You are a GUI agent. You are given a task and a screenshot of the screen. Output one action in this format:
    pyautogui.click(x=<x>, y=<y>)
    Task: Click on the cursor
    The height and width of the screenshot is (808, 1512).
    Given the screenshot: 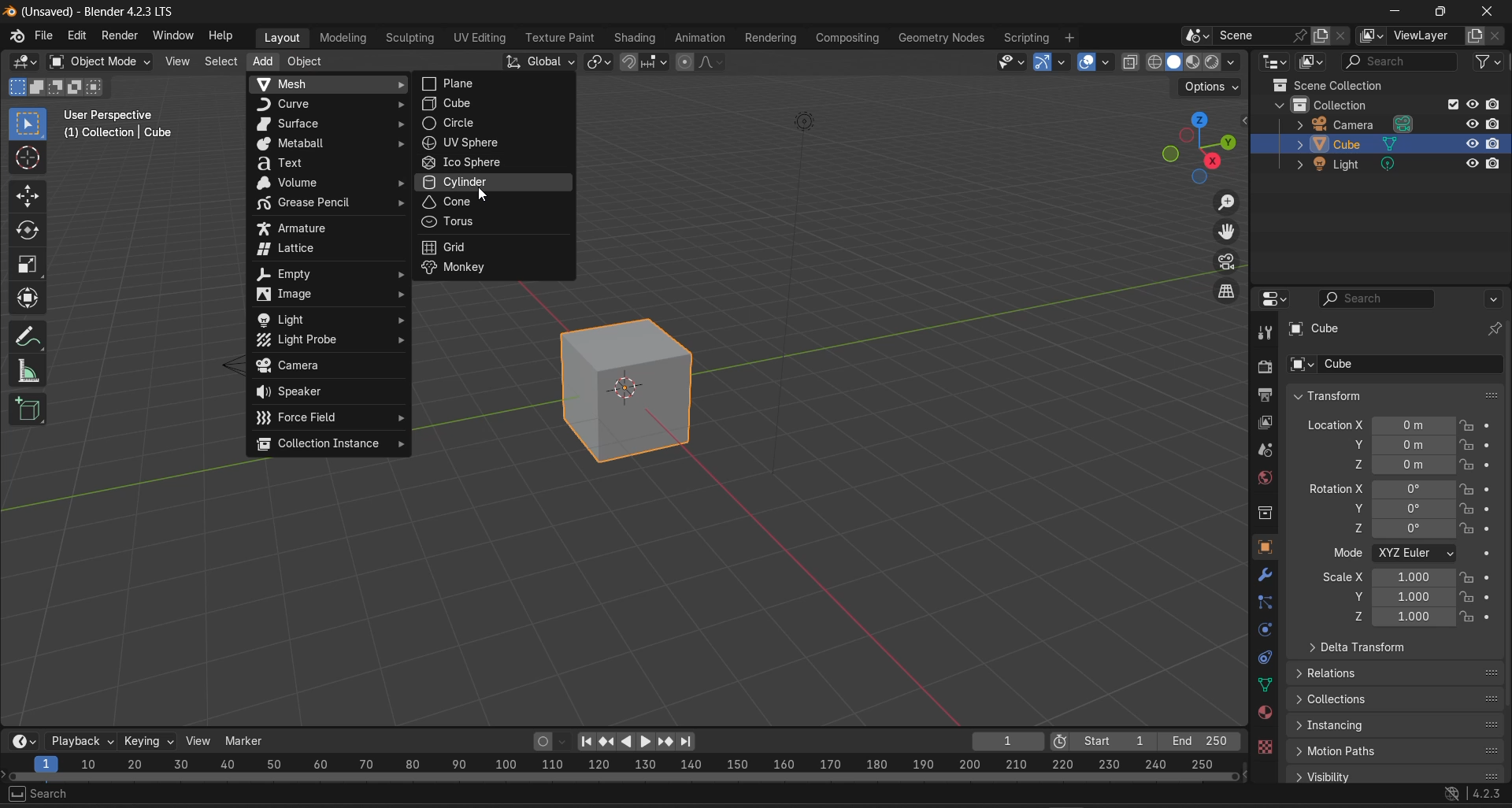 What is the action you would take?
    pyautogui.click(x=29, y=160)
    